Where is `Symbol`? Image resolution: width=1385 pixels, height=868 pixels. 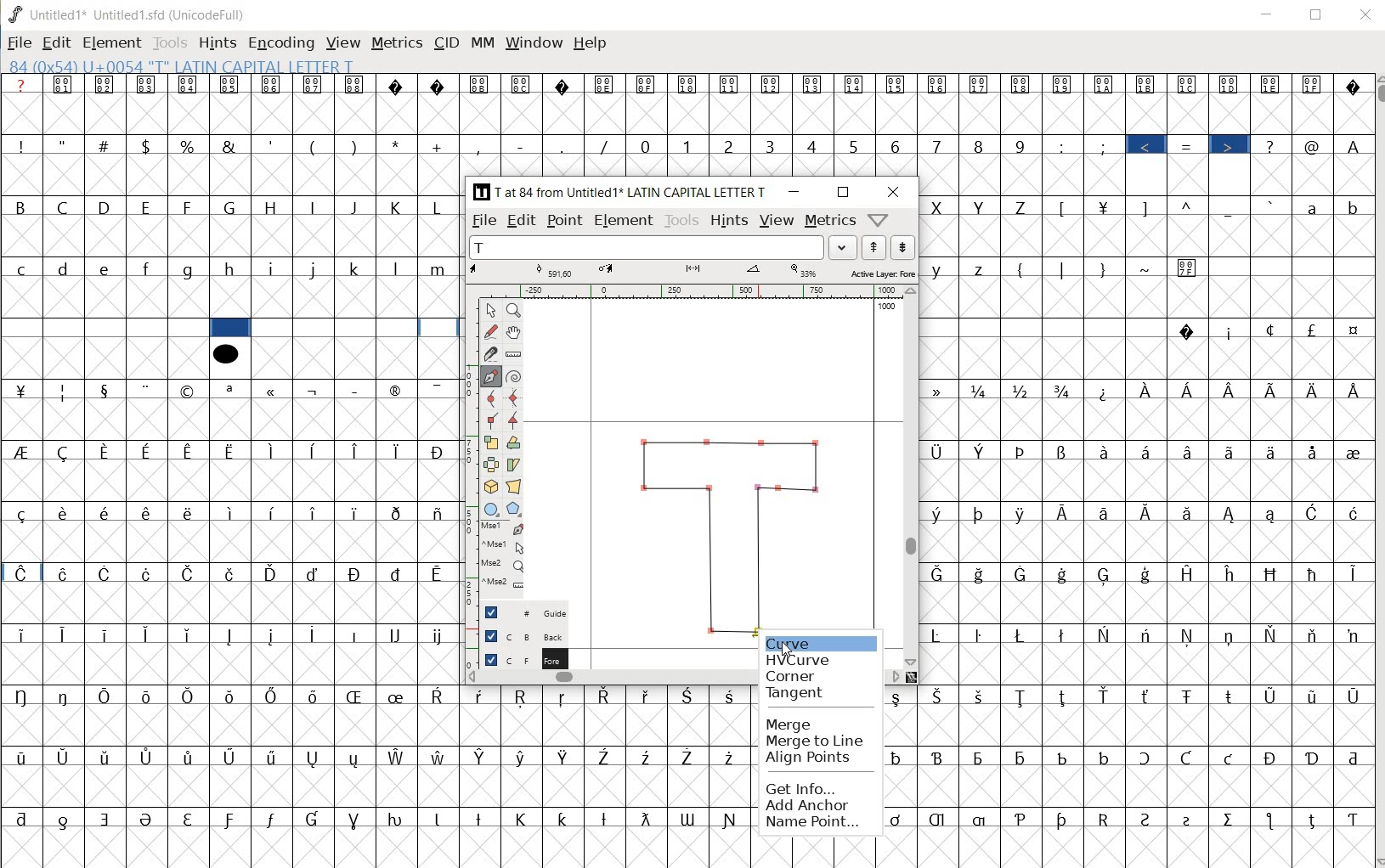
Symbol is located at coordinates (441, 86).